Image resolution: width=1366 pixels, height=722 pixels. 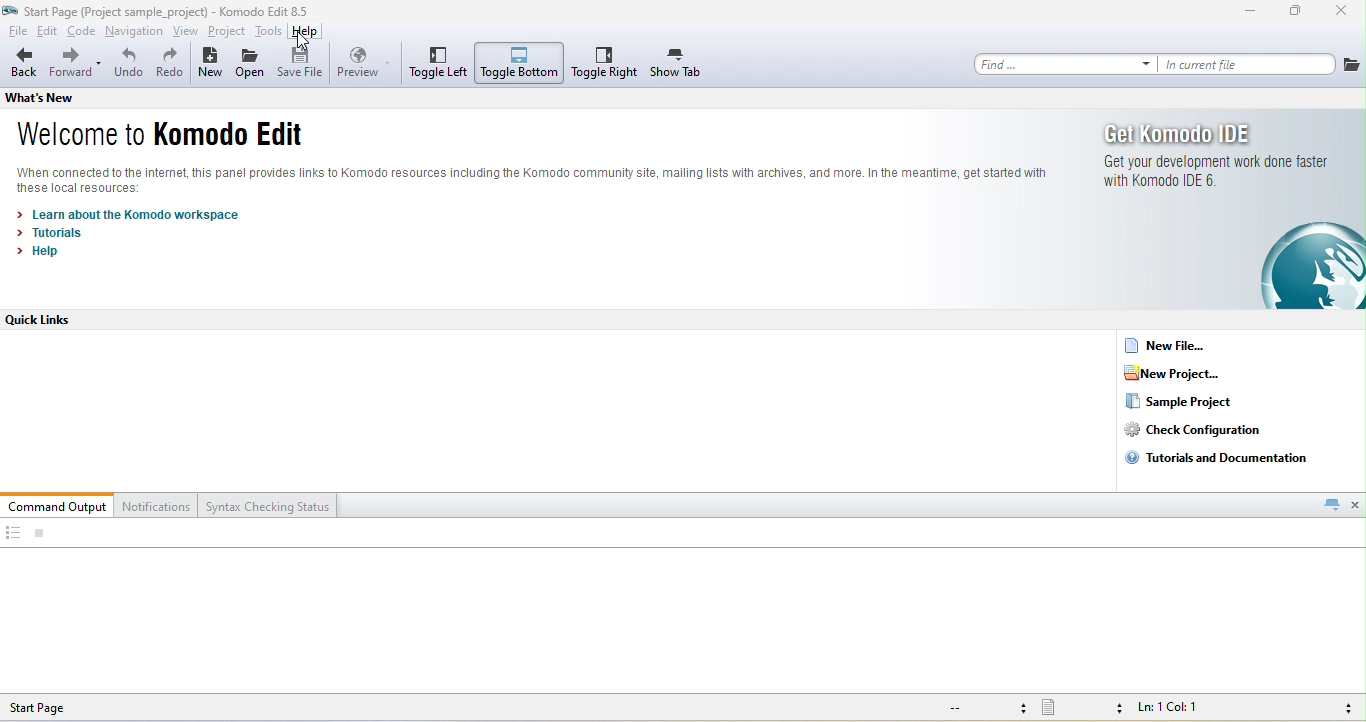 What do you see at coordinates (49, 320) in the screenshot?
I see `quick links` at bounding box center [49, 320].